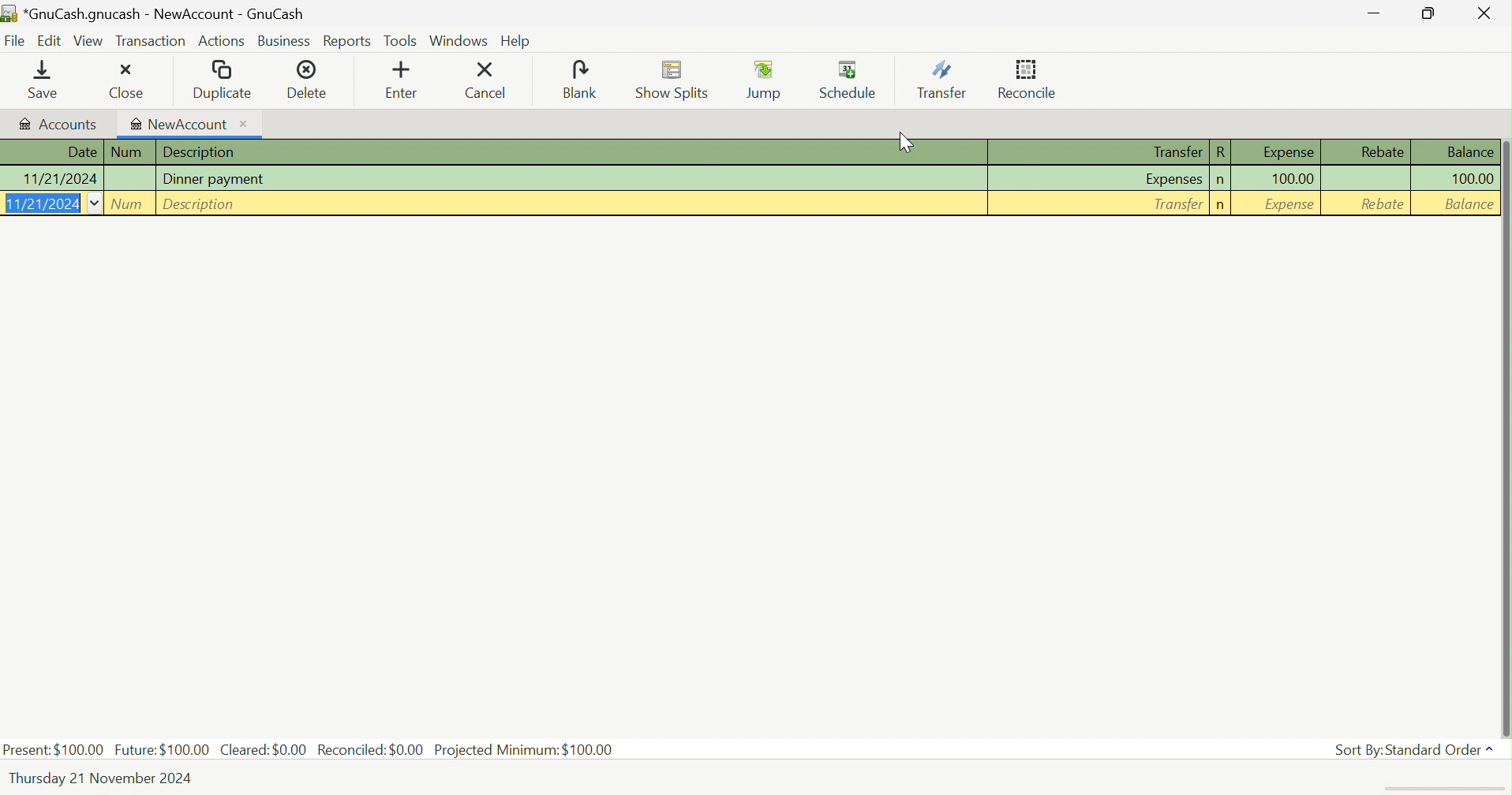 This screenshot has height=795, width=1512. What do you see at coordinates (580, 79) in the screenshot?
I see `Blank` at bounding box center [580, 79].